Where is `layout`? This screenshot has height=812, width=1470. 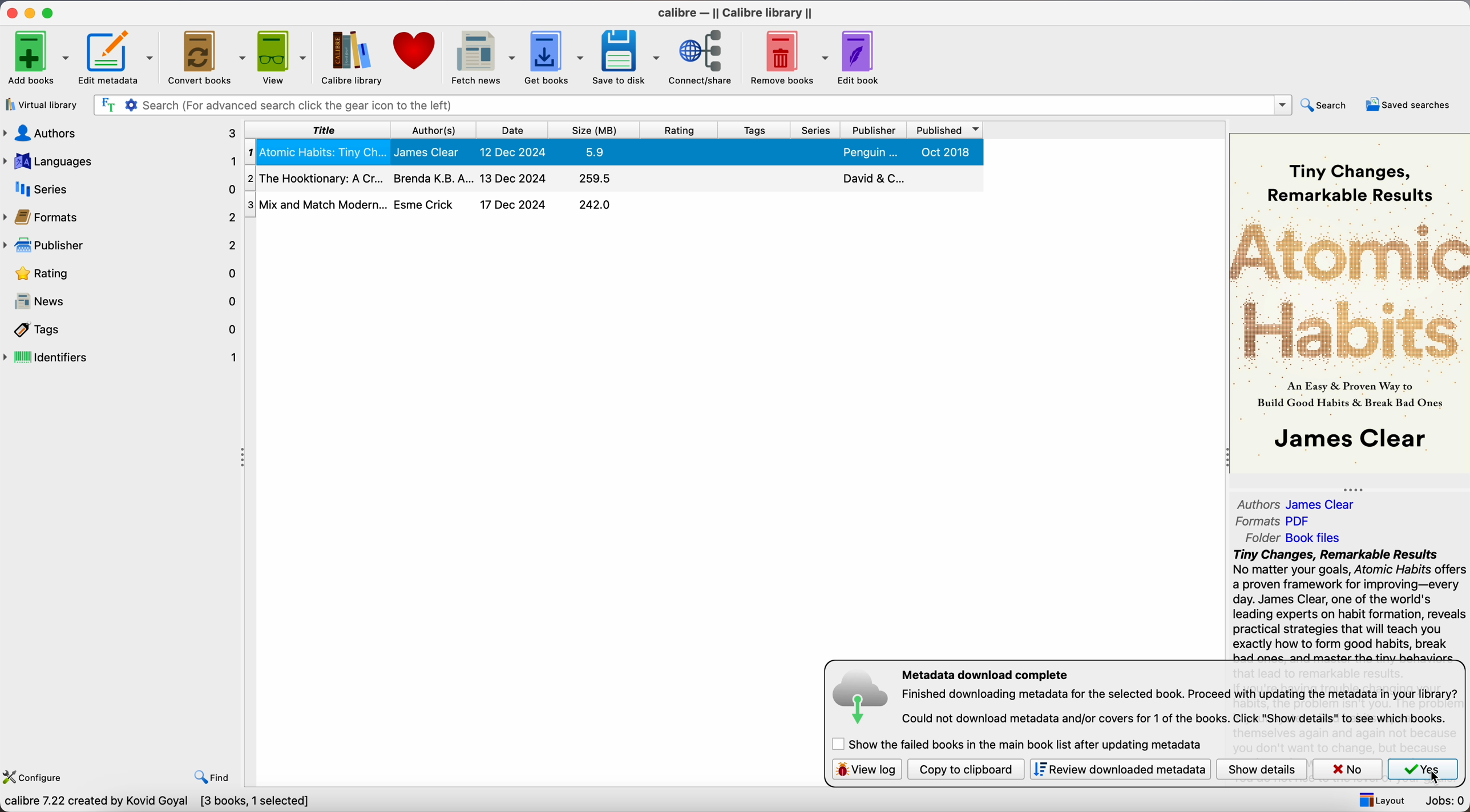
layout is located at coordinates (1381, 801).